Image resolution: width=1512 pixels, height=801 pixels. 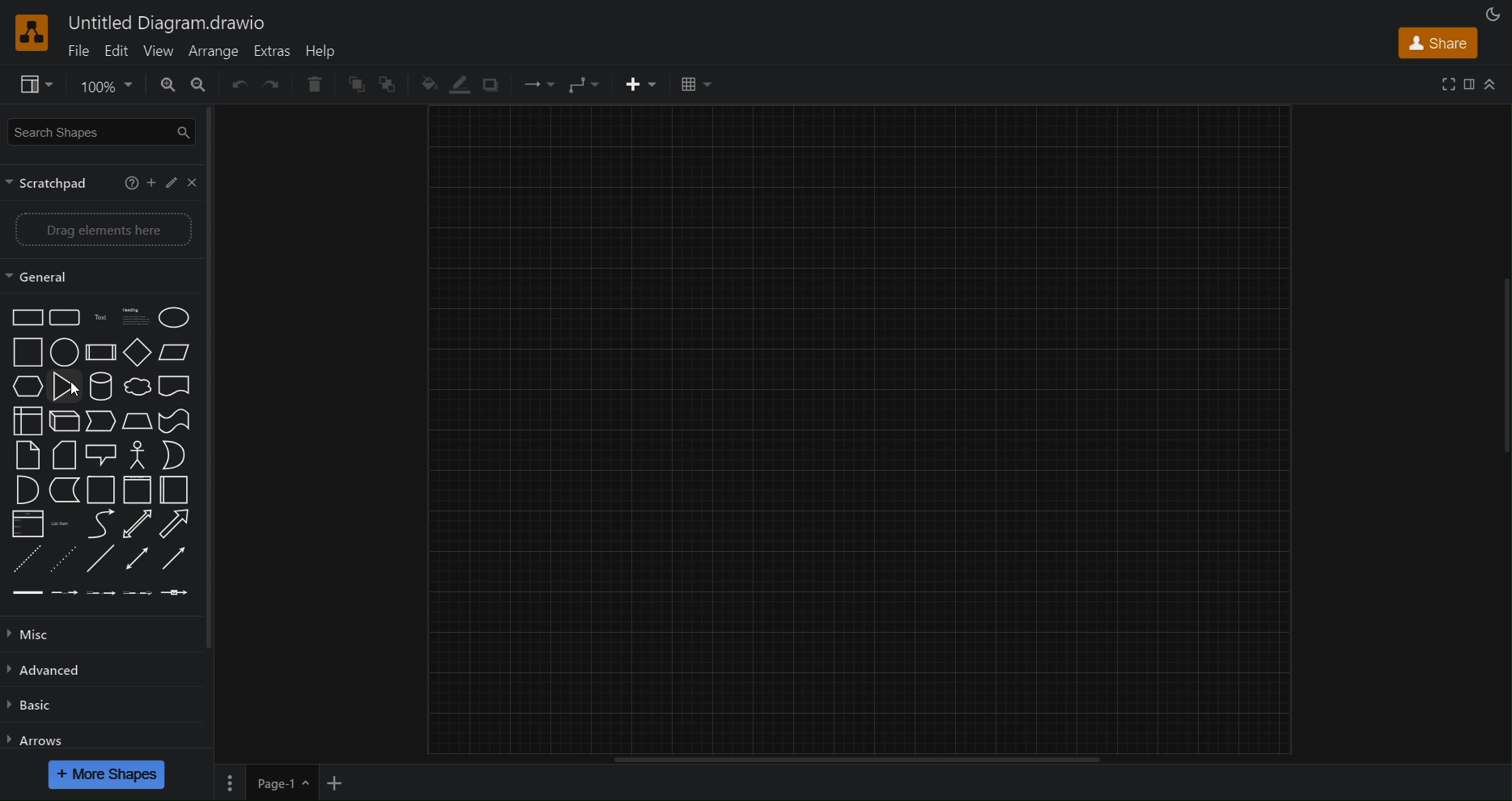 What do you see at coordinates (102, 230) in the screenshot?
I see `Drag elements here` at bounding box center [102, 230].